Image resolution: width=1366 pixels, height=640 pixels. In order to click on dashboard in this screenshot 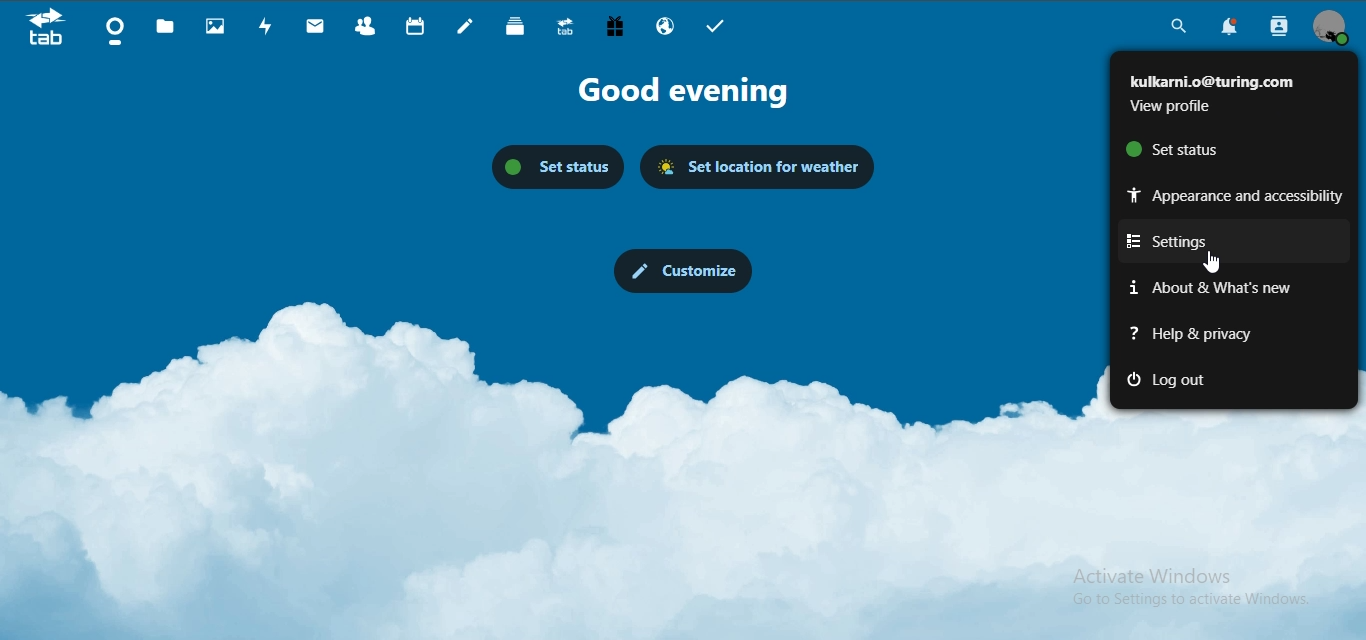, I will do `click(118, 29)`.